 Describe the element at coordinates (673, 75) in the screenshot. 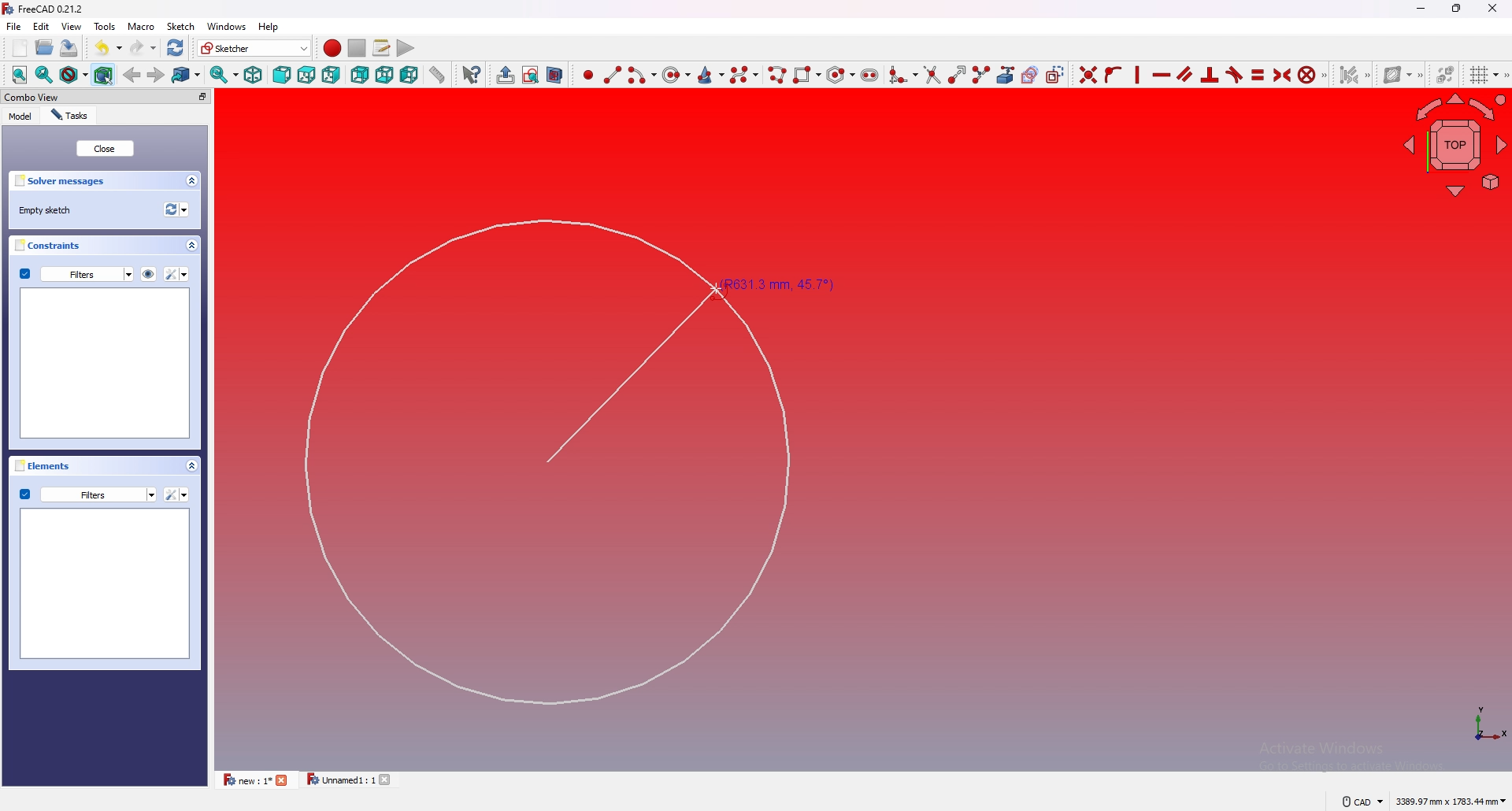

I see `create circle` at that location.